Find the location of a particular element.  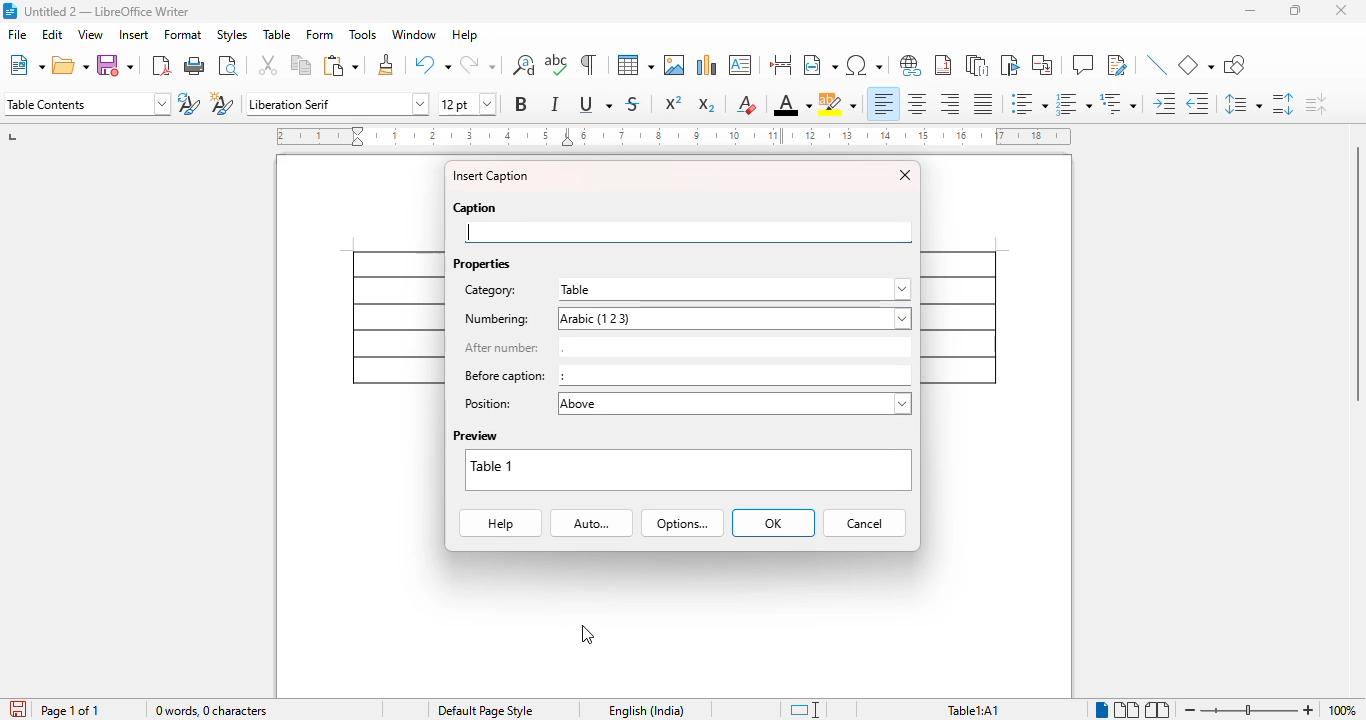

new style from selection is located at coordinates (223, 103).